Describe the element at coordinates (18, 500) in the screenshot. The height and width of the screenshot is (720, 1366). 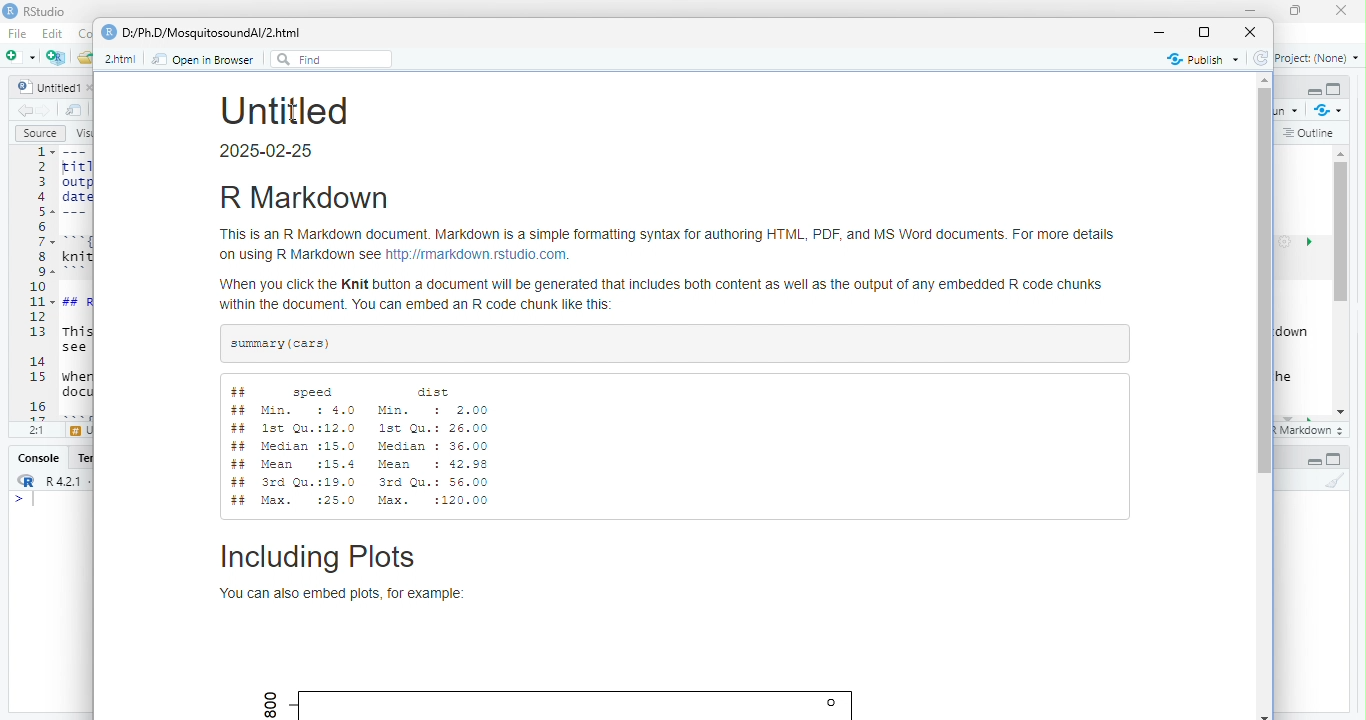
I see `>` at that location.